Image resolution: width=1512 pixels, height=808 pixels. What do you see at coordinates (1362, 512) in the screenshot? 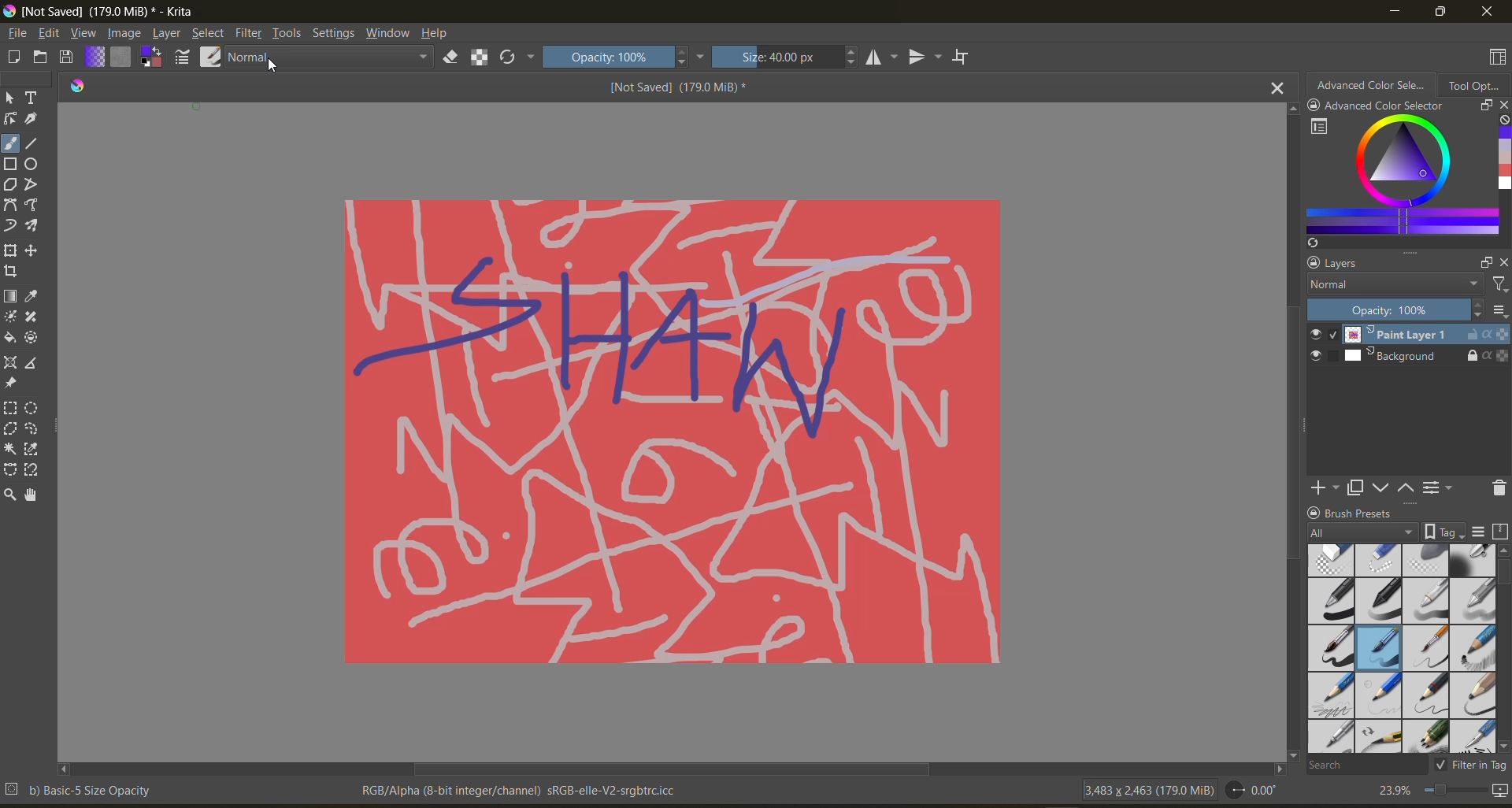
I see `Brush Presets` at bounding box center [1362, 512].